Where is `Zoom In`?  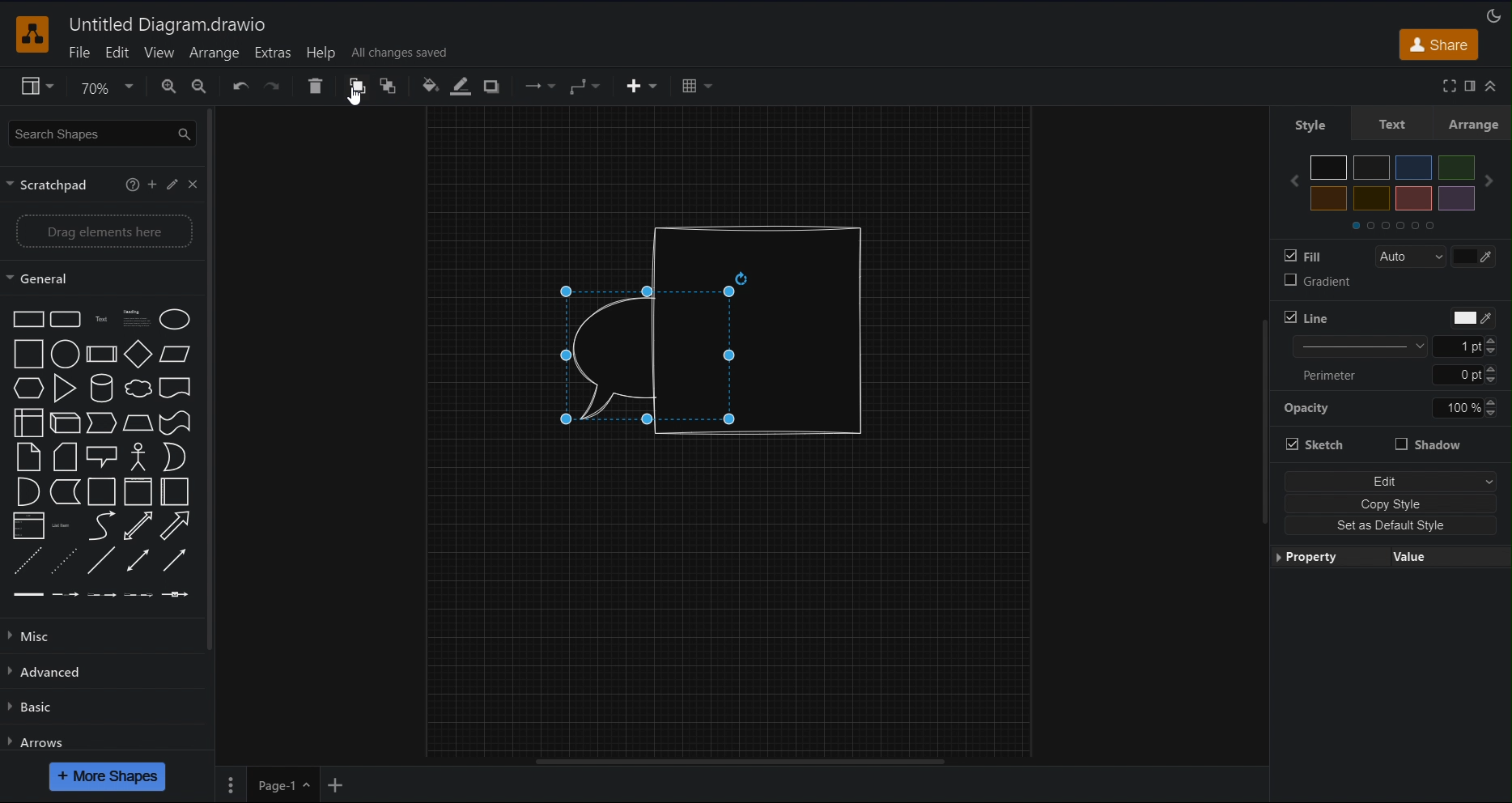 Zoom In is located at coordinates (166, 87).